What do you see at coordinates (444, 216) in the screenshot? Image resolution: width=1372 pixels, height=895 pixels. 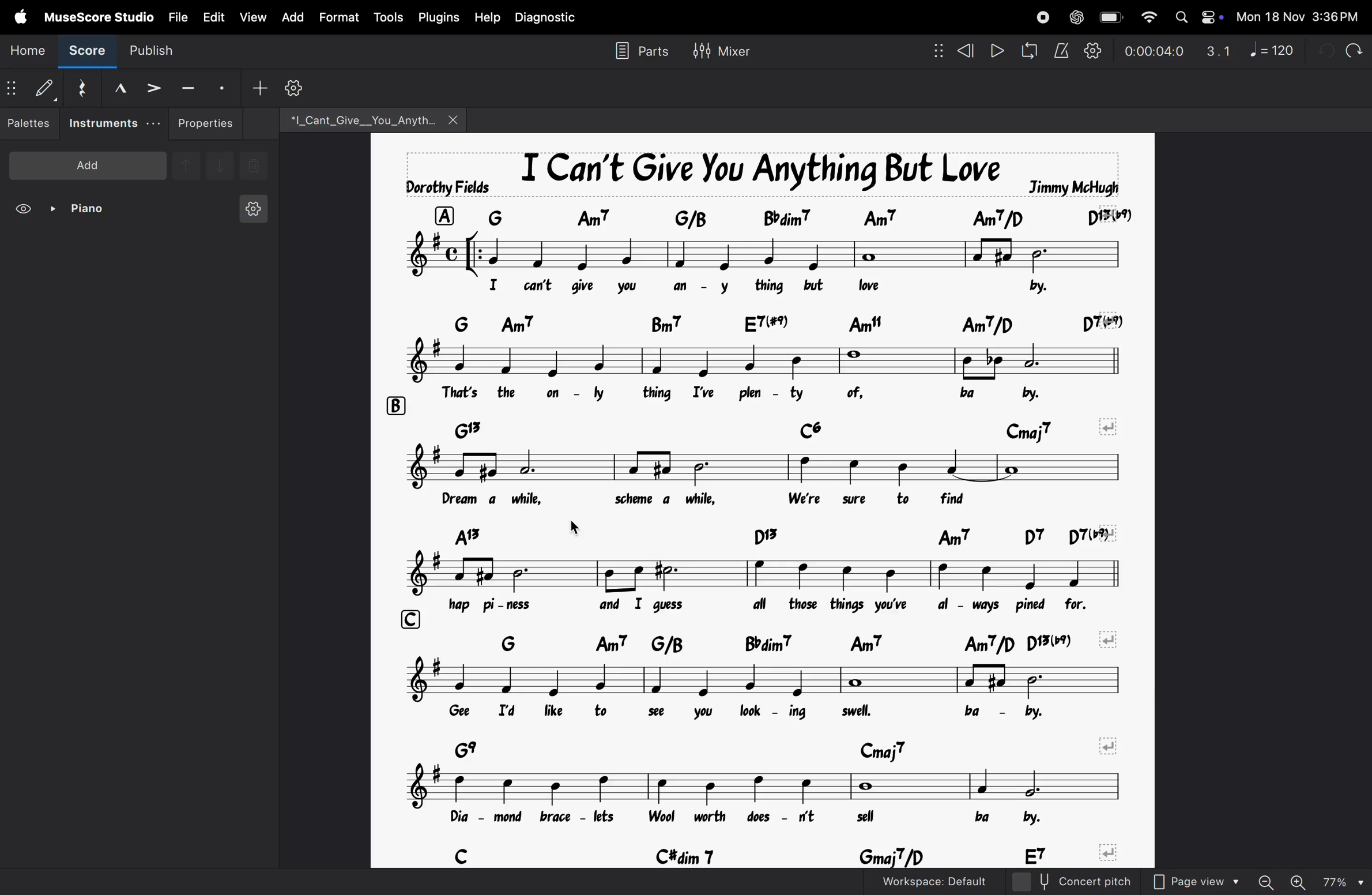 I see `row` at bounding box center [444, 216].